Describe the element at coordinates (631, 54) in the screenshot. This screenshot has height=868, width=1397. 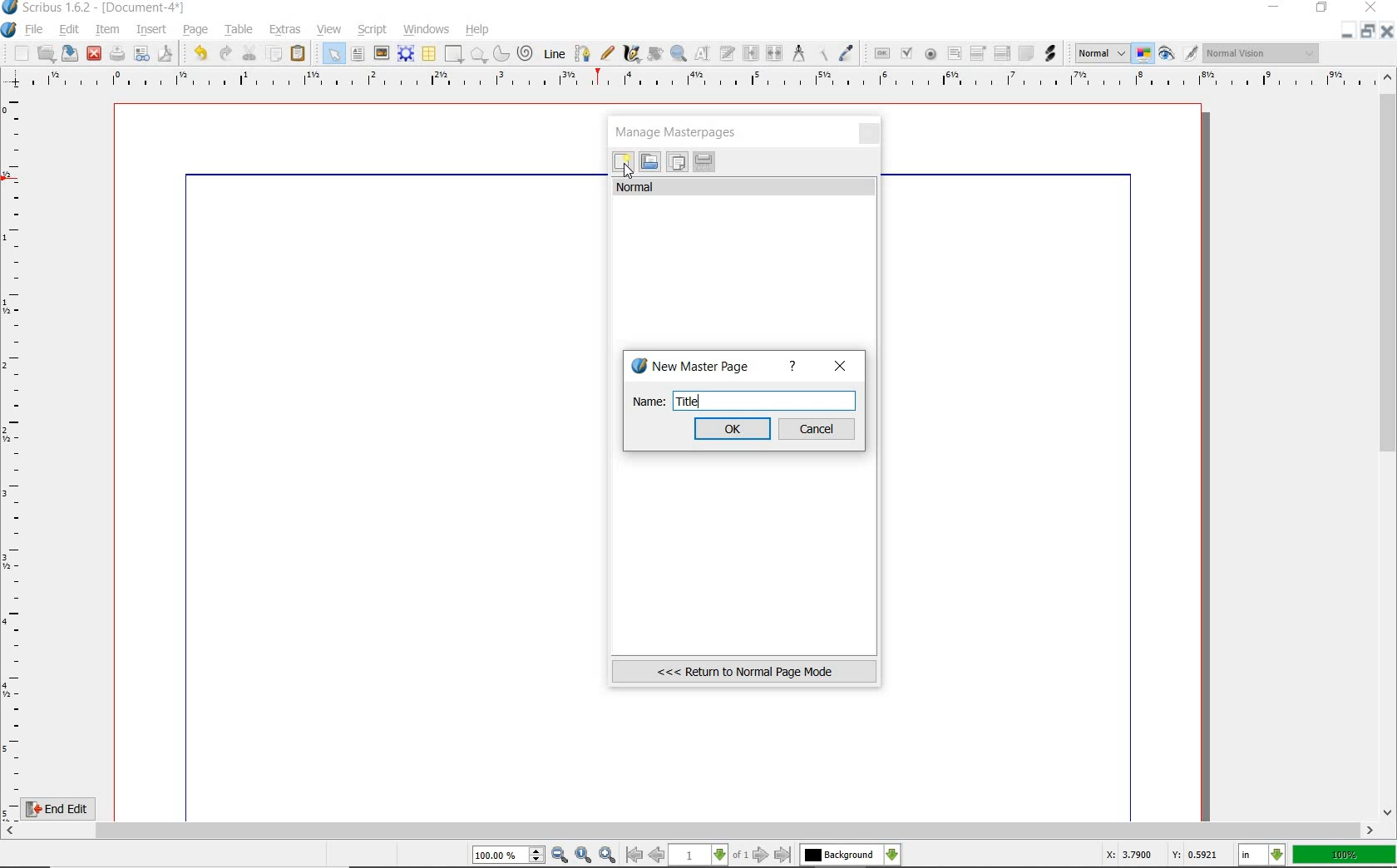
I see `calligraphic line` at that location.